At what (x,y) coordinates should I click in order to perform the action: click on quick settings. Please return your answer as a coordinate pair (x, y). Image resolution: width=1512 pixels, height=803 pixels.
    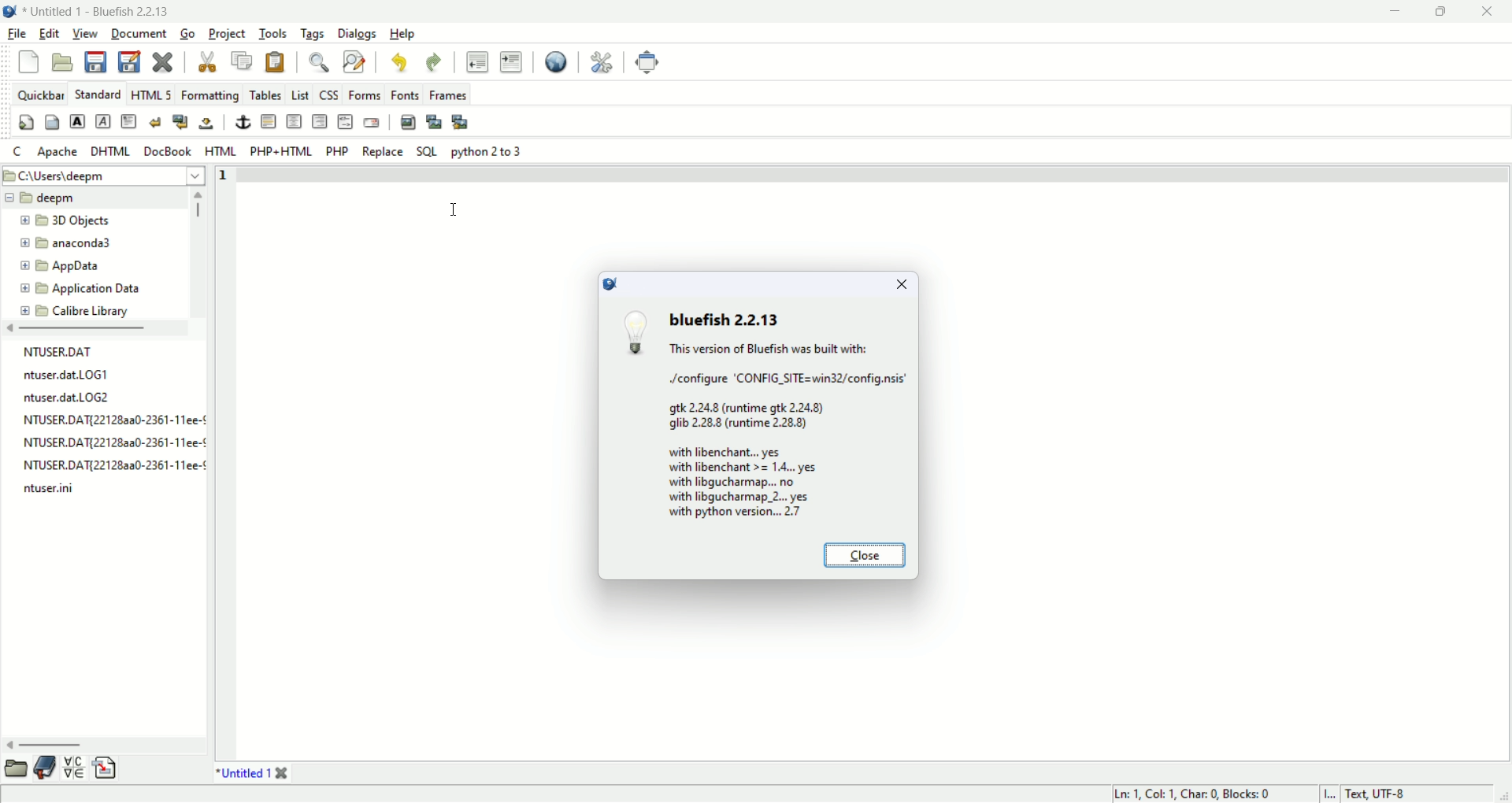
    Looking at the image, I should click on (28, 123).